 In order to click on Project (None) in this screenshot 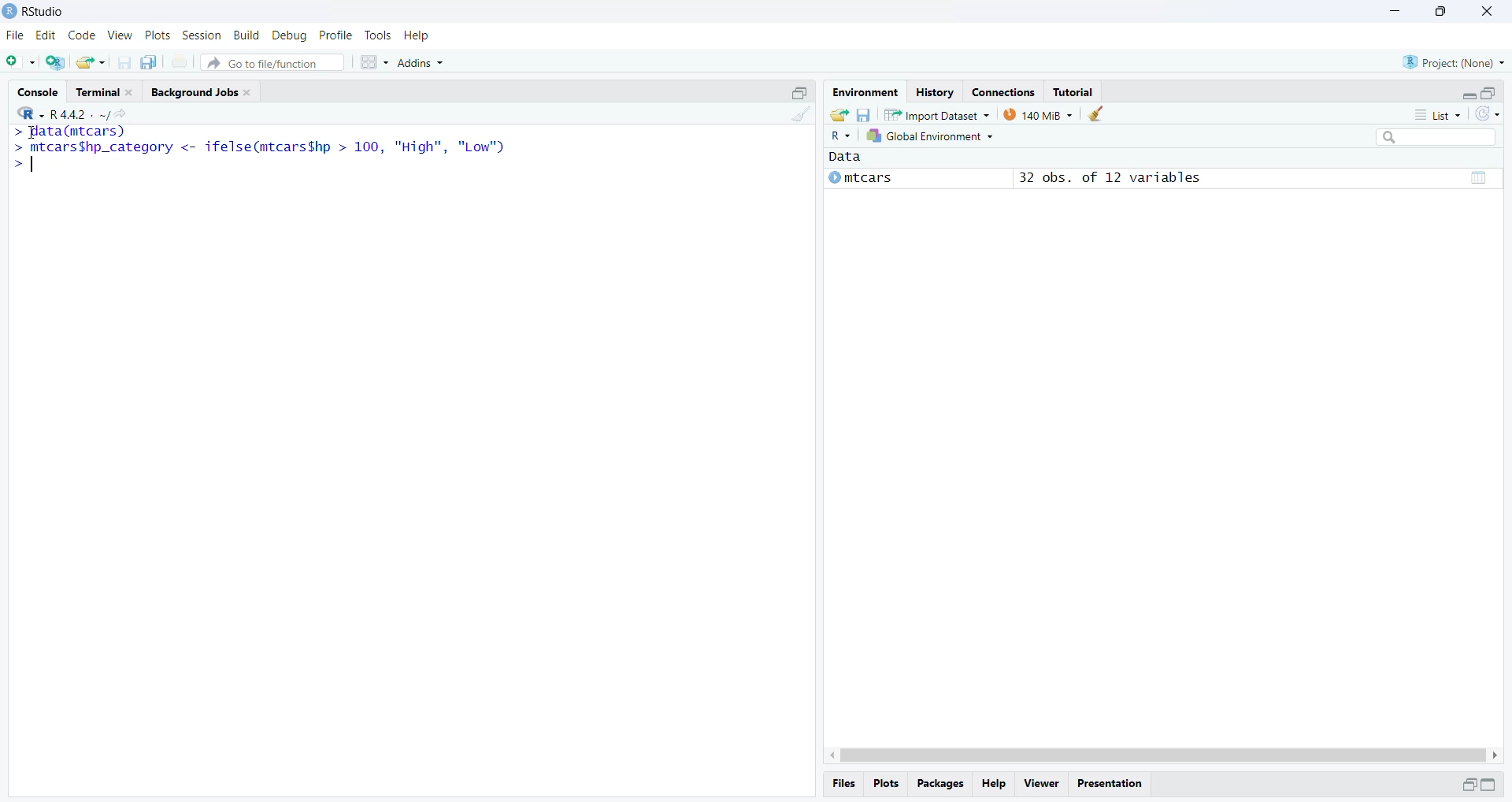, I will do `click(1455, 61)`.